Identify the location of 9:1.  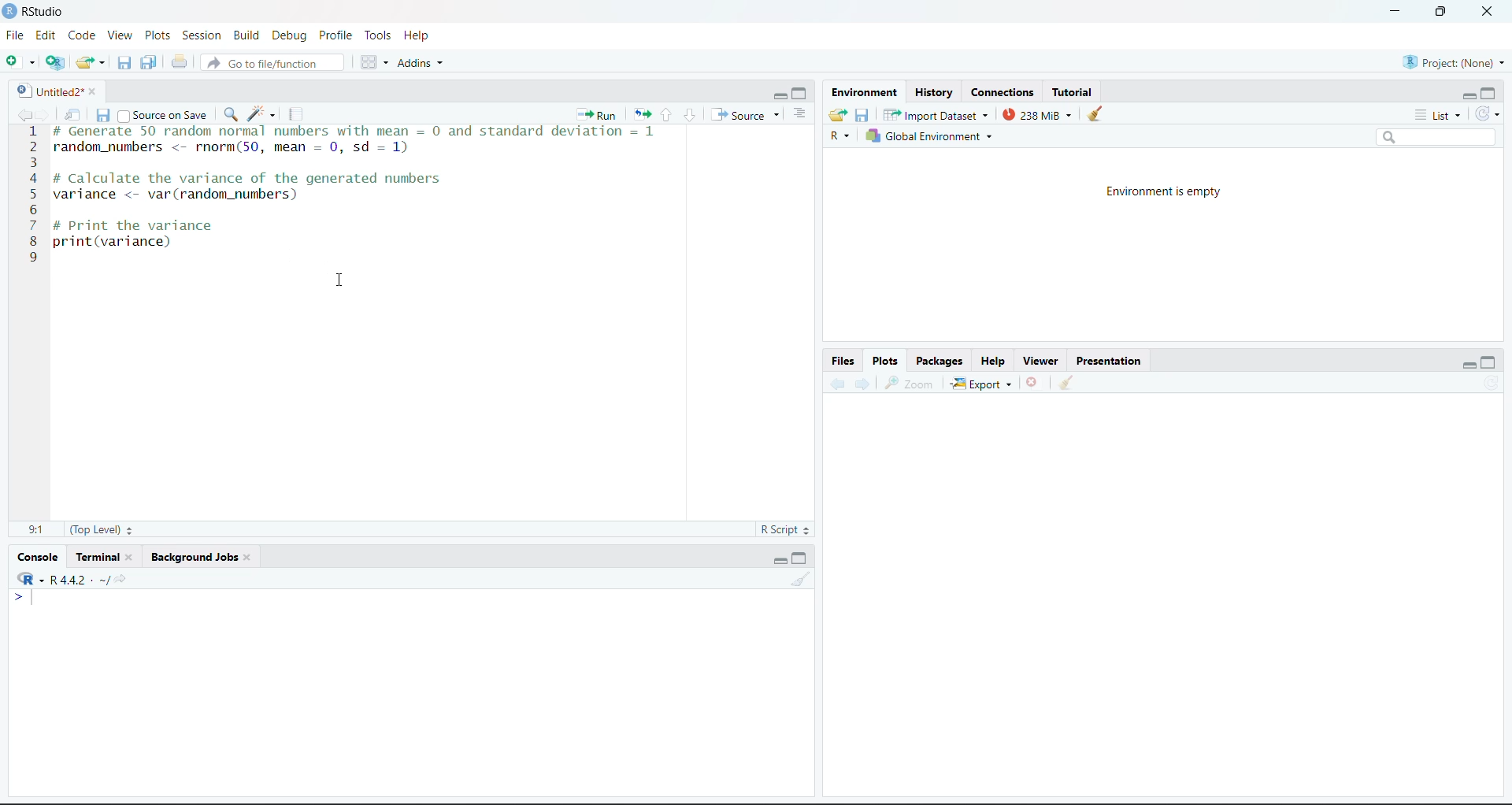
(36, 530).